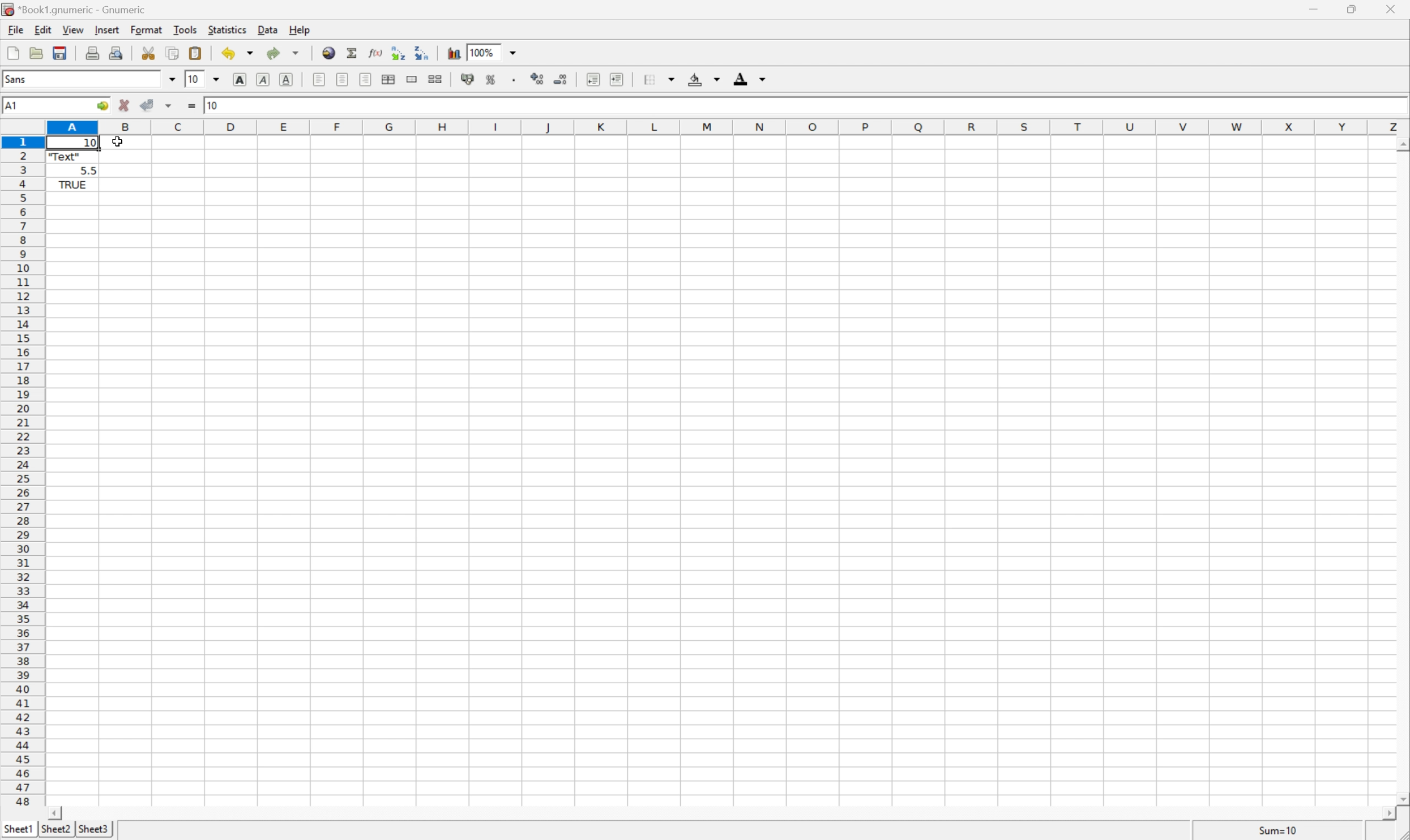 The width and height of the screenshot is (1410, 840). Describe the element at coordinates (77, 8) in the screenshot. I see `*Book1.gnumeric - Gnumeric` at that location.